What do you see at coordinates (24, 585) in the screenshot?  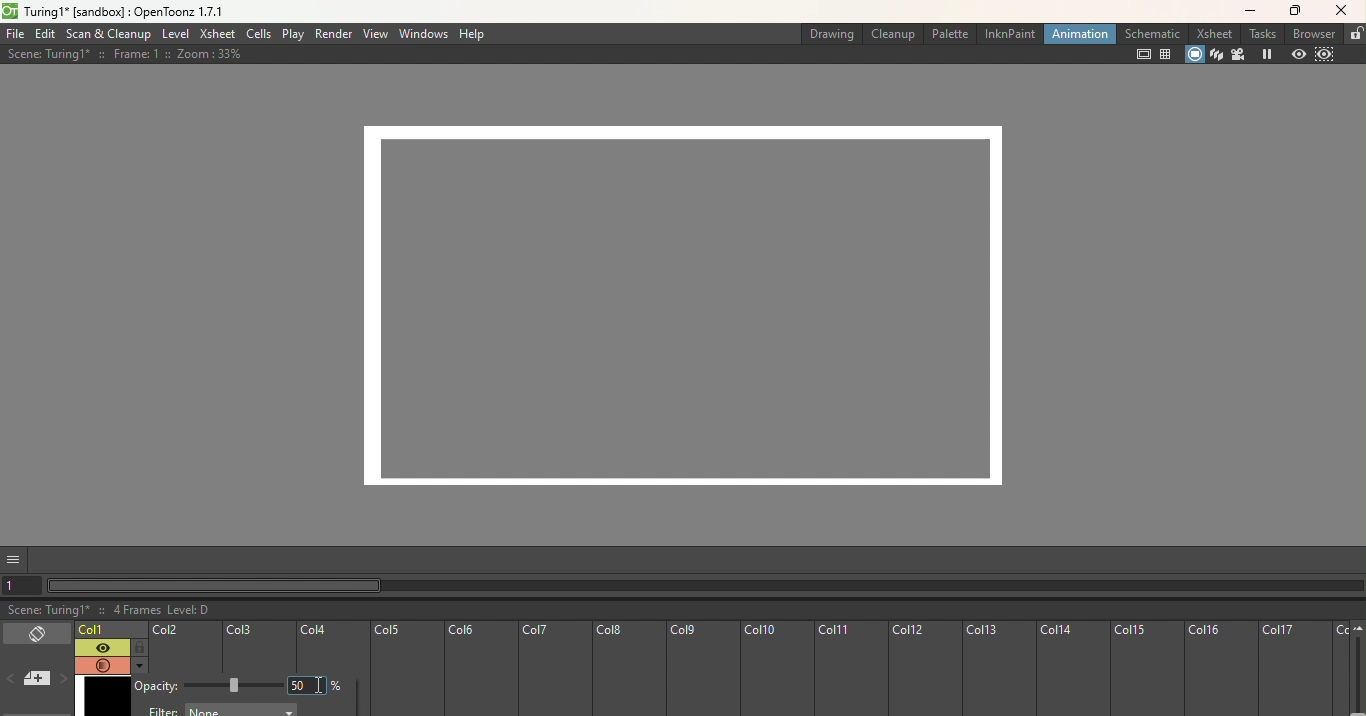 I see `Set the current frame` at bounding box center [24, 585].